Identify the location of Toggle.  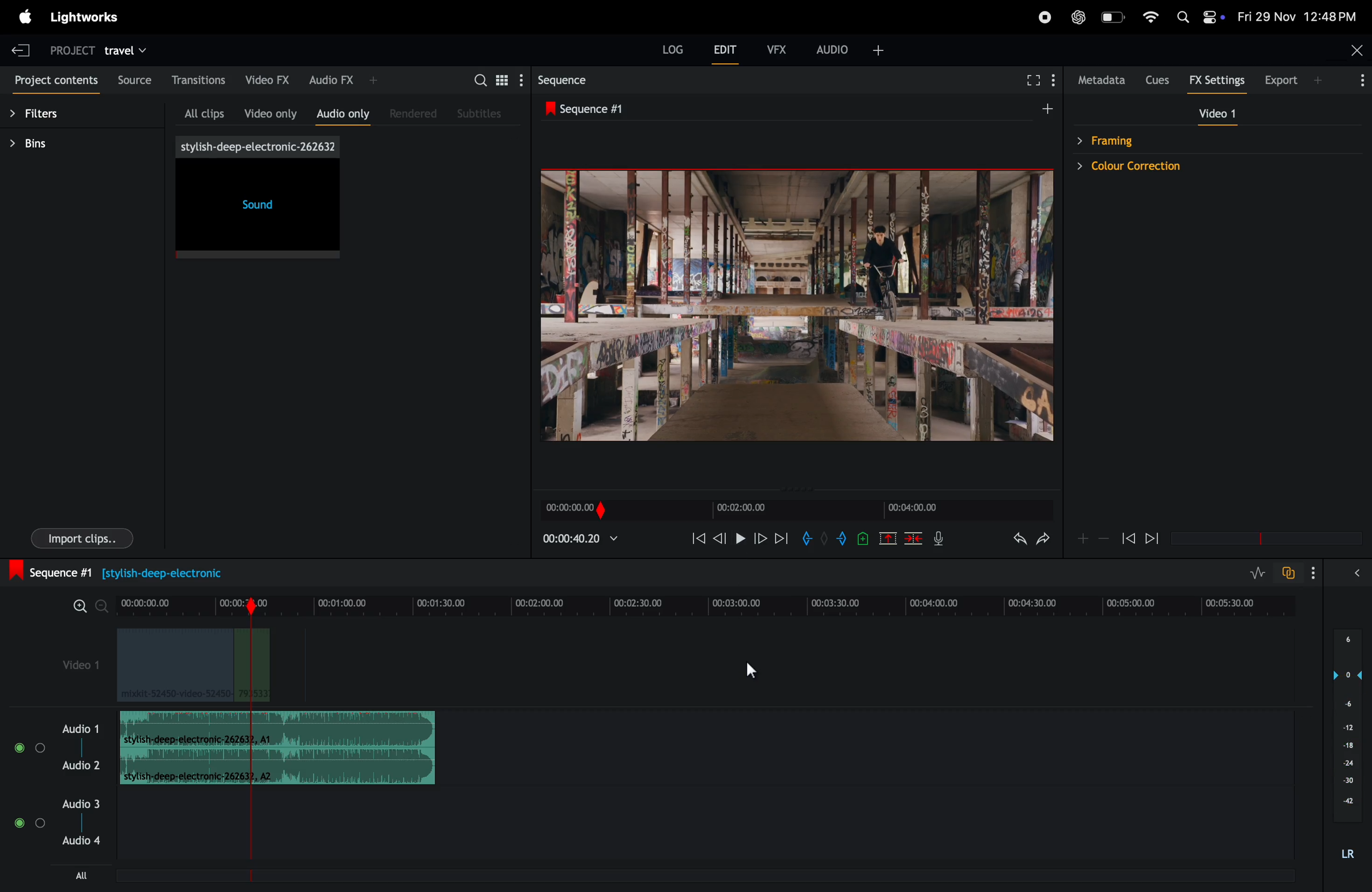
(20, 748).